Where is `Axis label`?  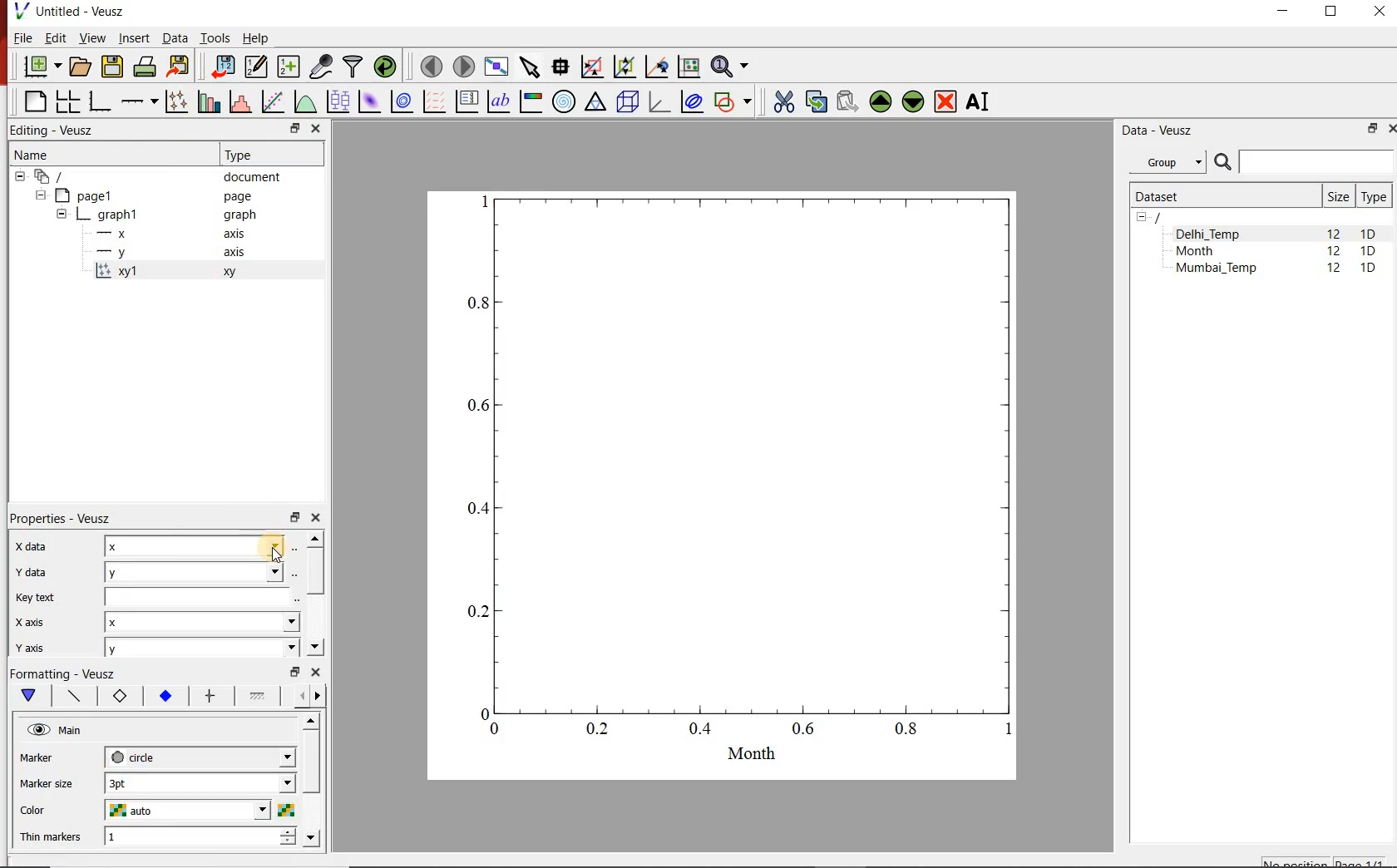 Axis label is located at coordinates (116, 696).